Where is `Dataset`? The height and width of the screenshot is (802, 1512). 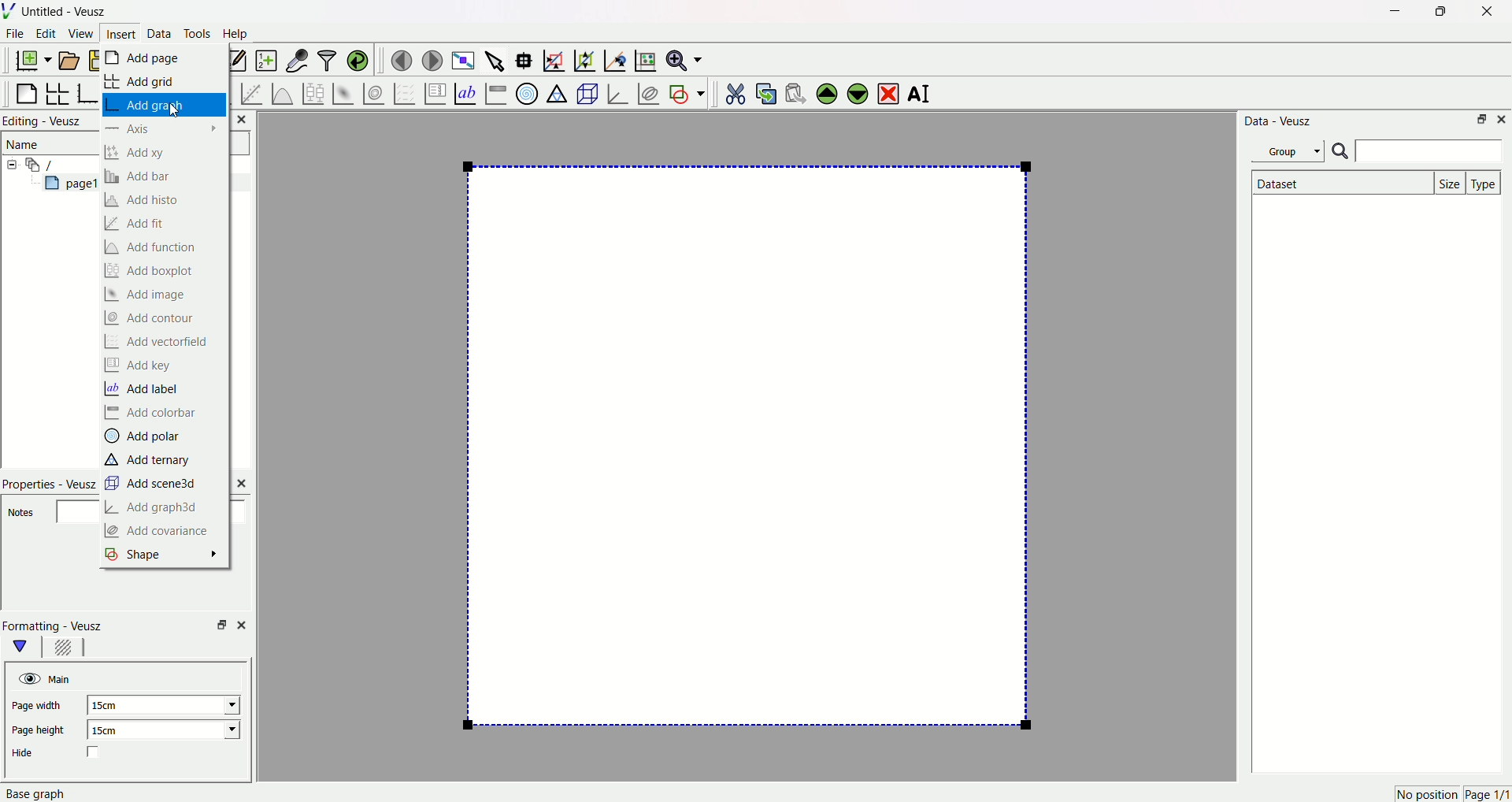
Dataset is located at coordinates (1340, 183).